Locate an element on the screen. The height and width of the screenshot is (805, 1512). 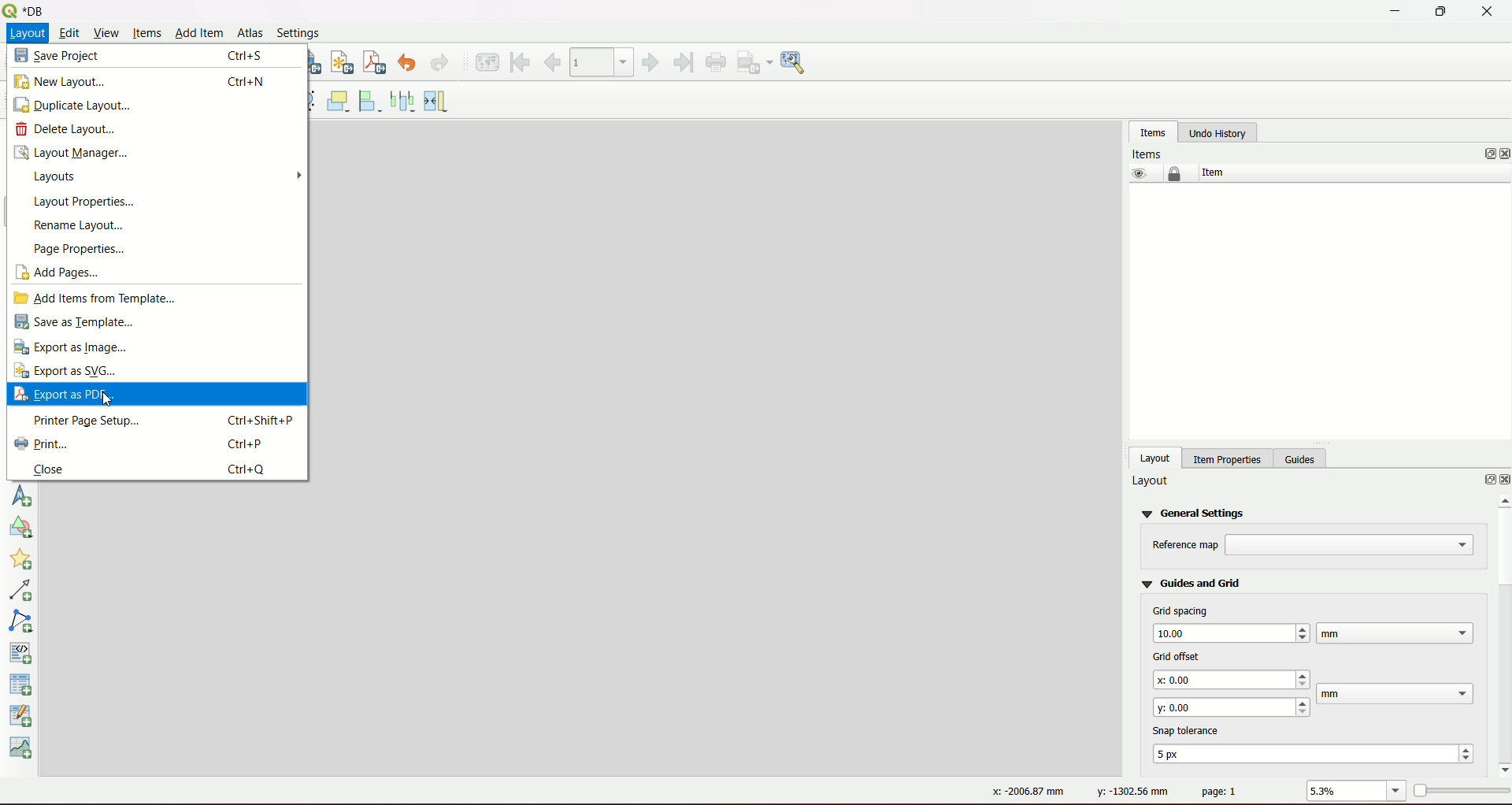
items is located at coordinates (1153, 132).